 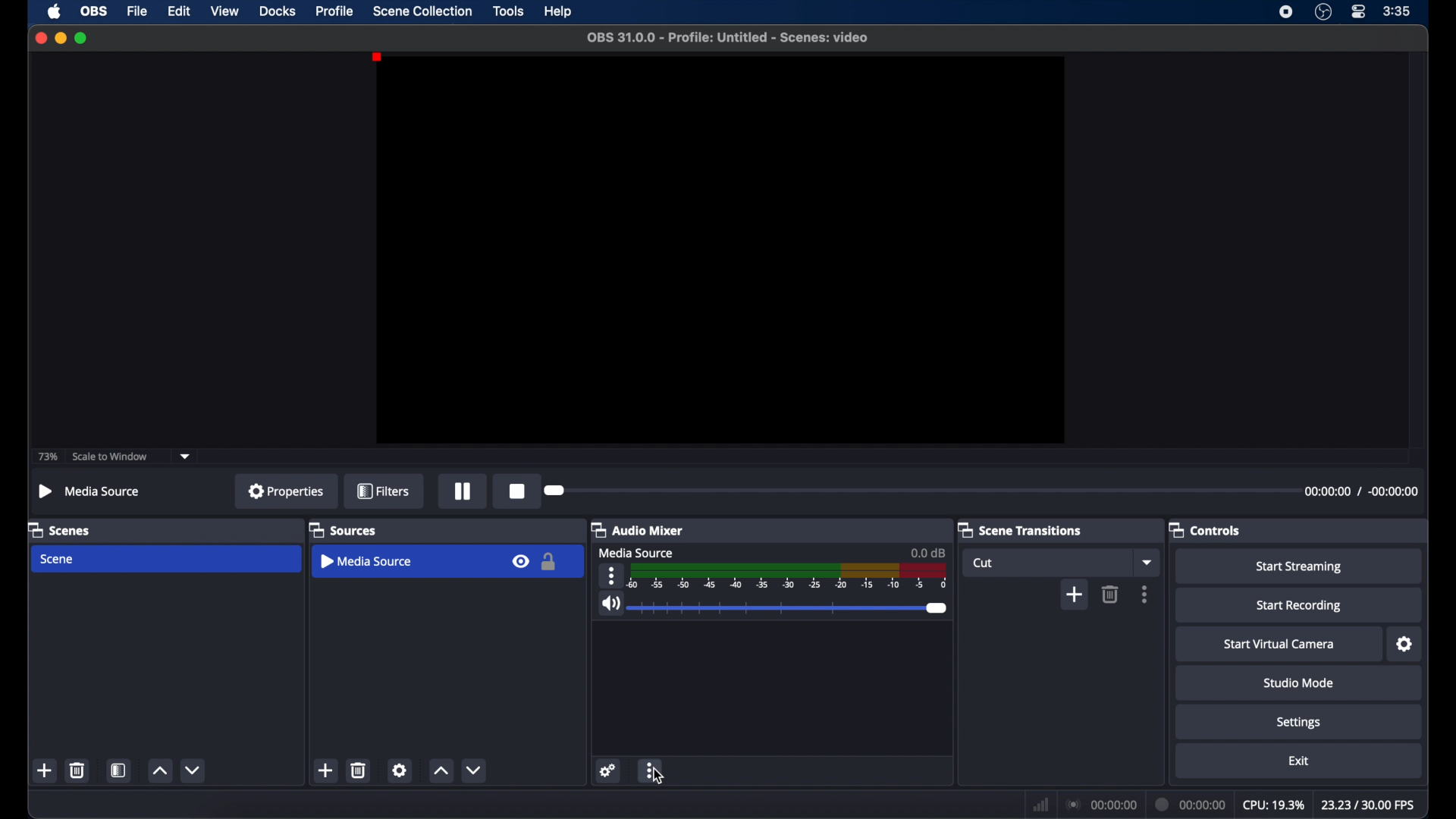 What do you see at coordinates (138, 11) in the screenshot?
I see `file` at bounding box center [138, 11].